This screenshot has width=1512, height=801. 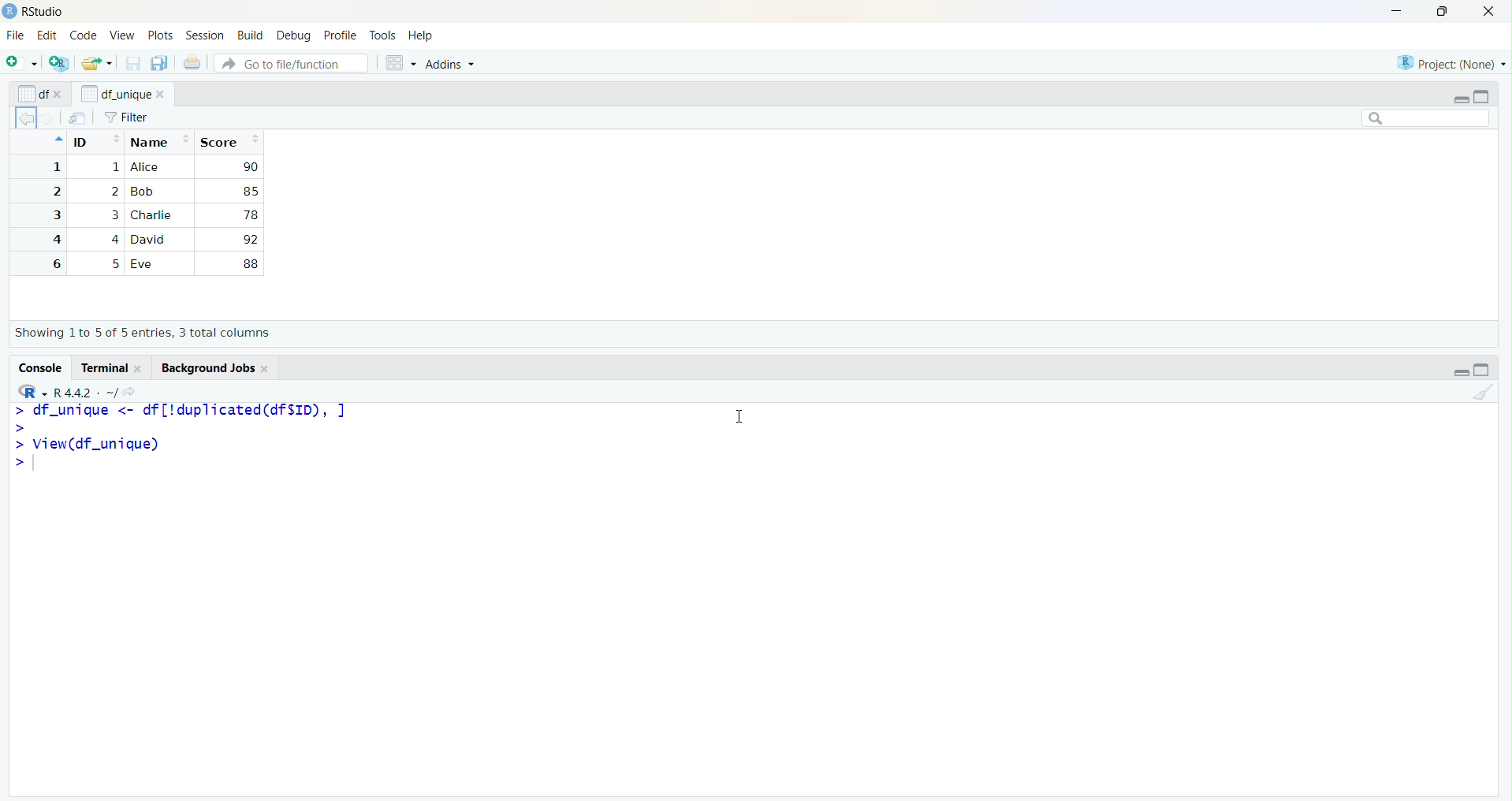 What do you see at coordinates (142, 192) in the screenshot?
I see `Bob` at bounding box center [142, 192].